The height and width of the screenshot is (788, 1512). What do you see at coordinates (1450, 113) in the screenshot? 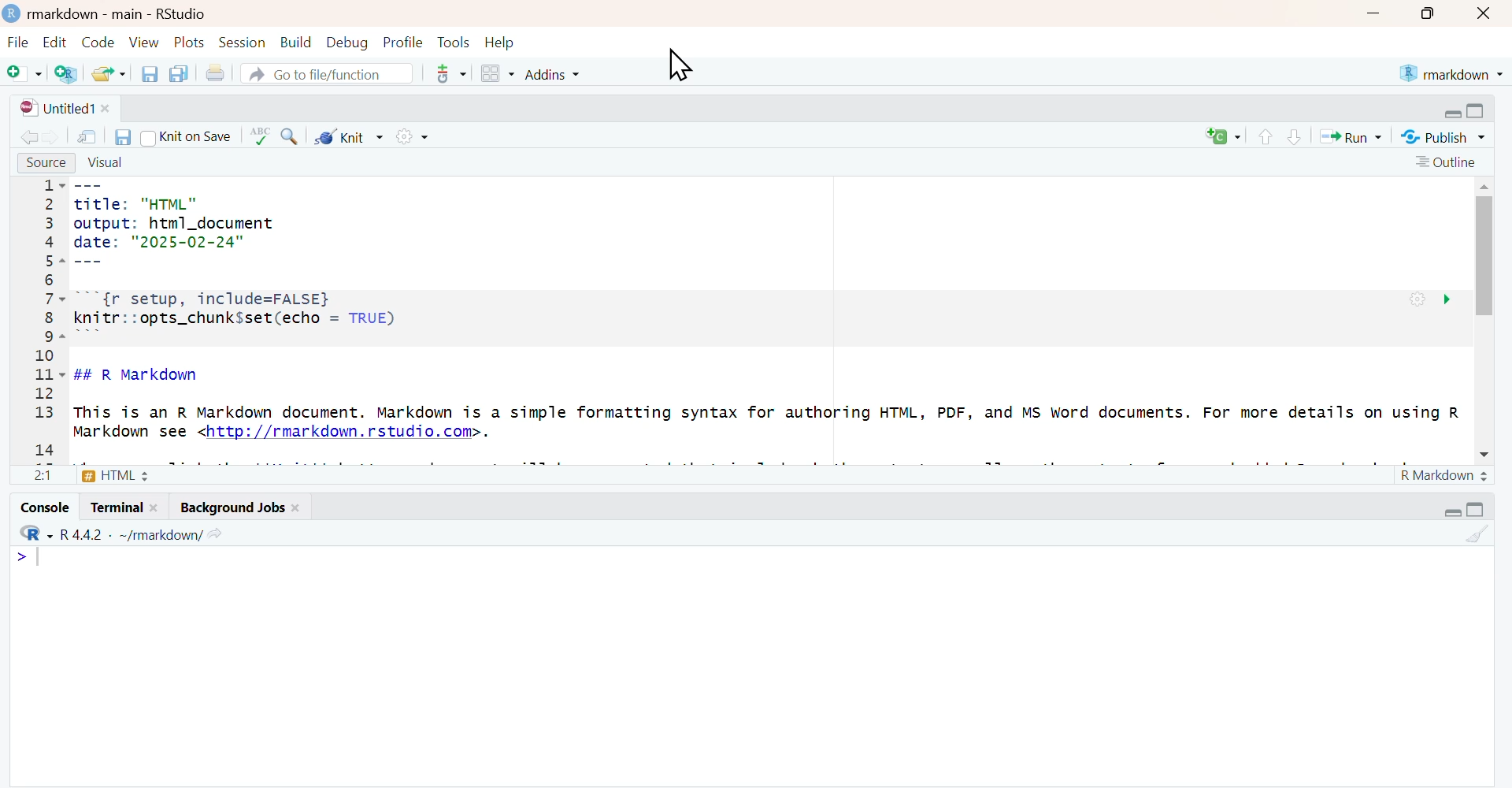
I see `minimize` at bounding box center [1450, 113].